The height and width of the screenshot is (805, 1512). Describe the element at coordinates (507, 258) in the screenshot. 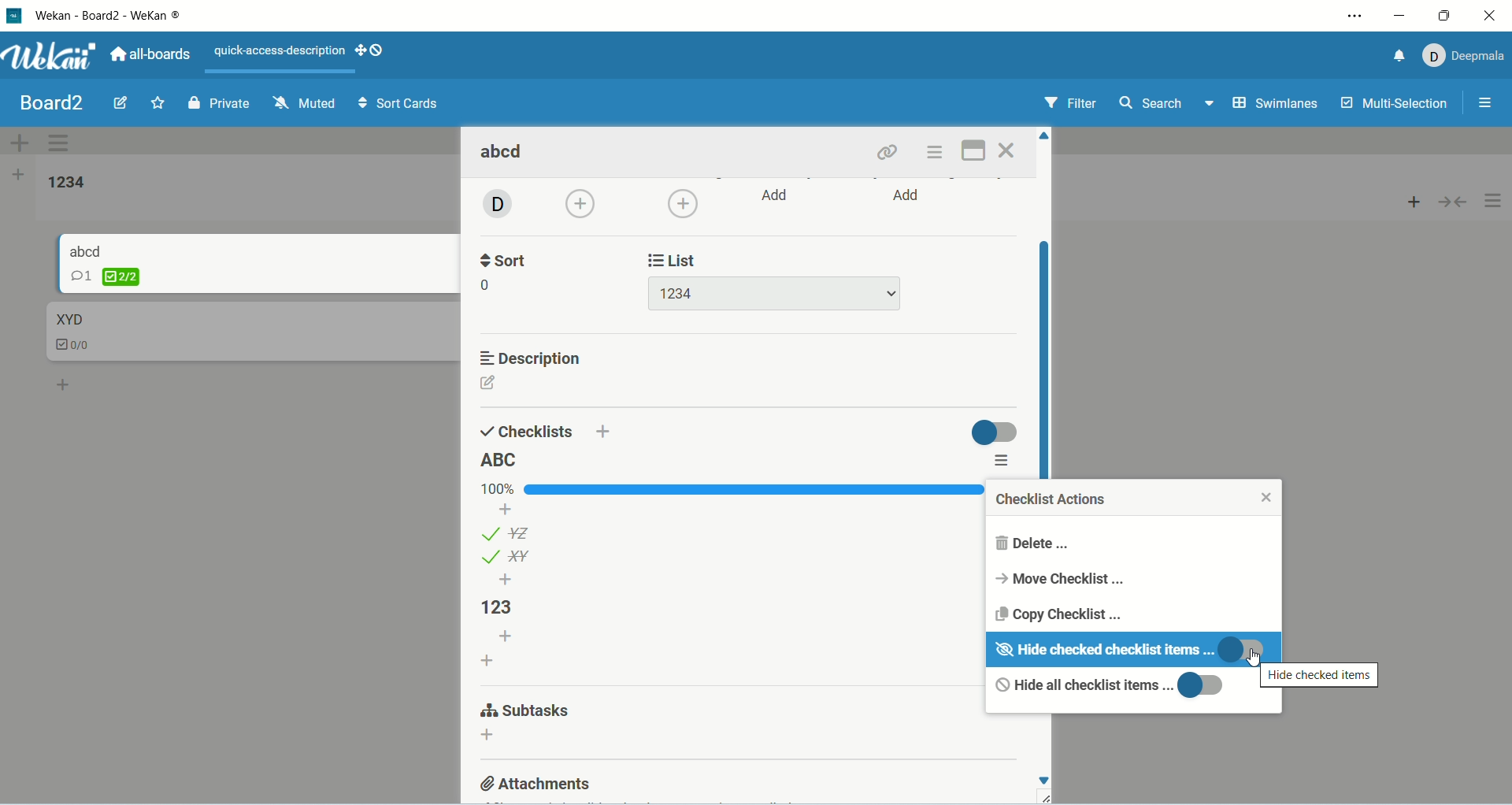

I see `sort` at that location.